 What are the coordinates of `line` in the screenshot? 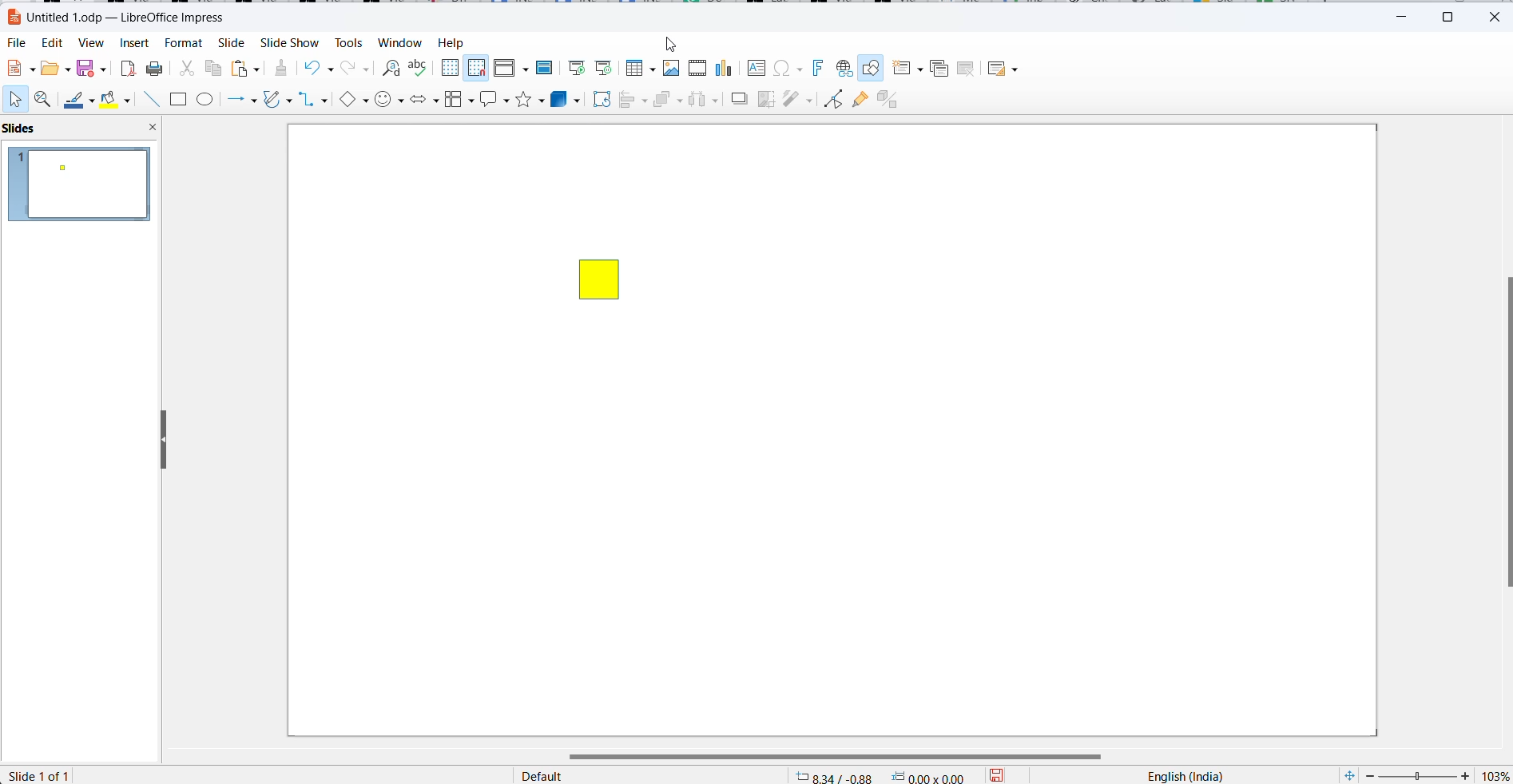 It's located at (153, 101).